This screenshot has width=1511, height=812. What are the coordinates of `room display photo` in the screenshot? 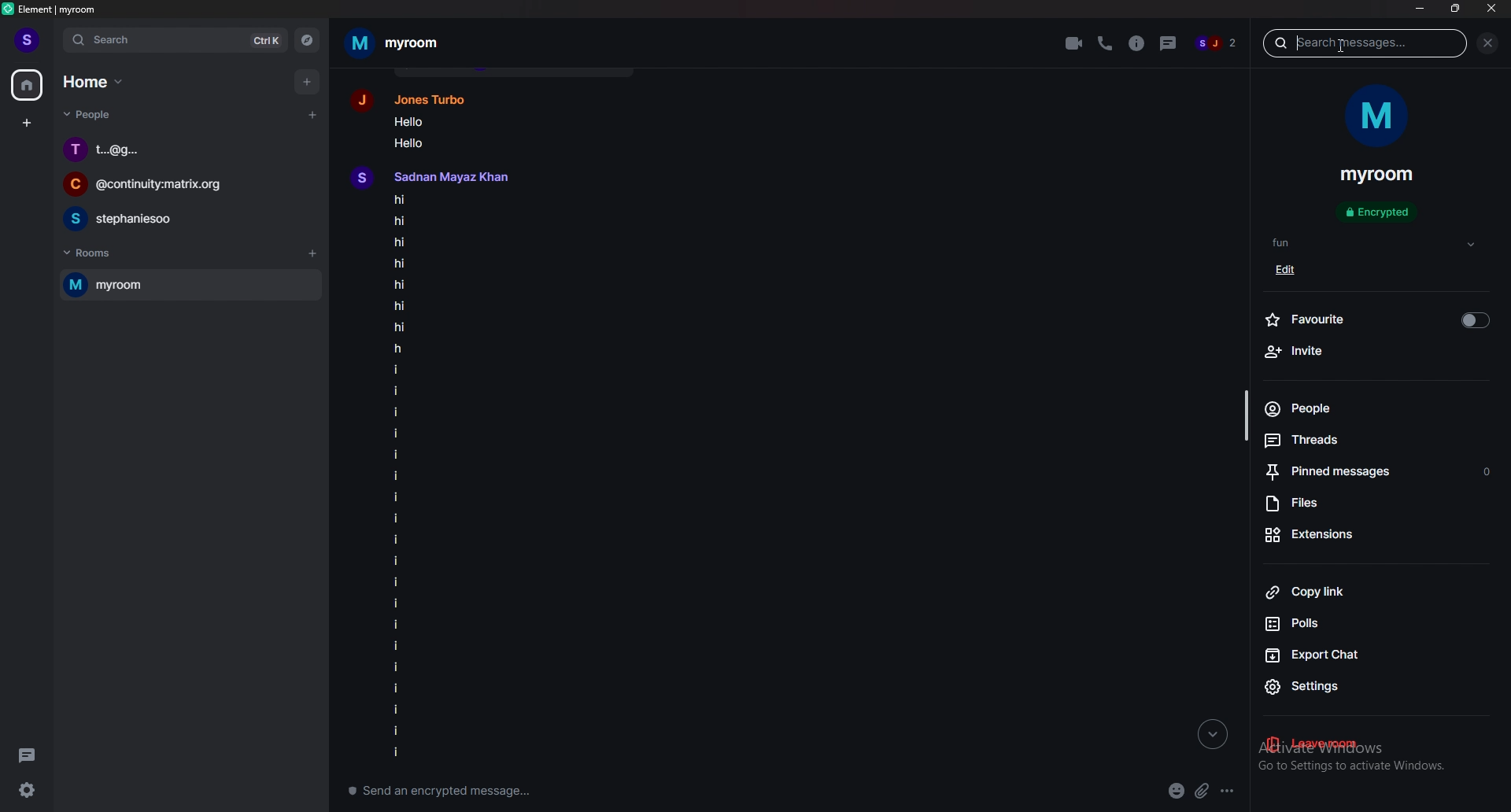 It's located at (1376, 119).